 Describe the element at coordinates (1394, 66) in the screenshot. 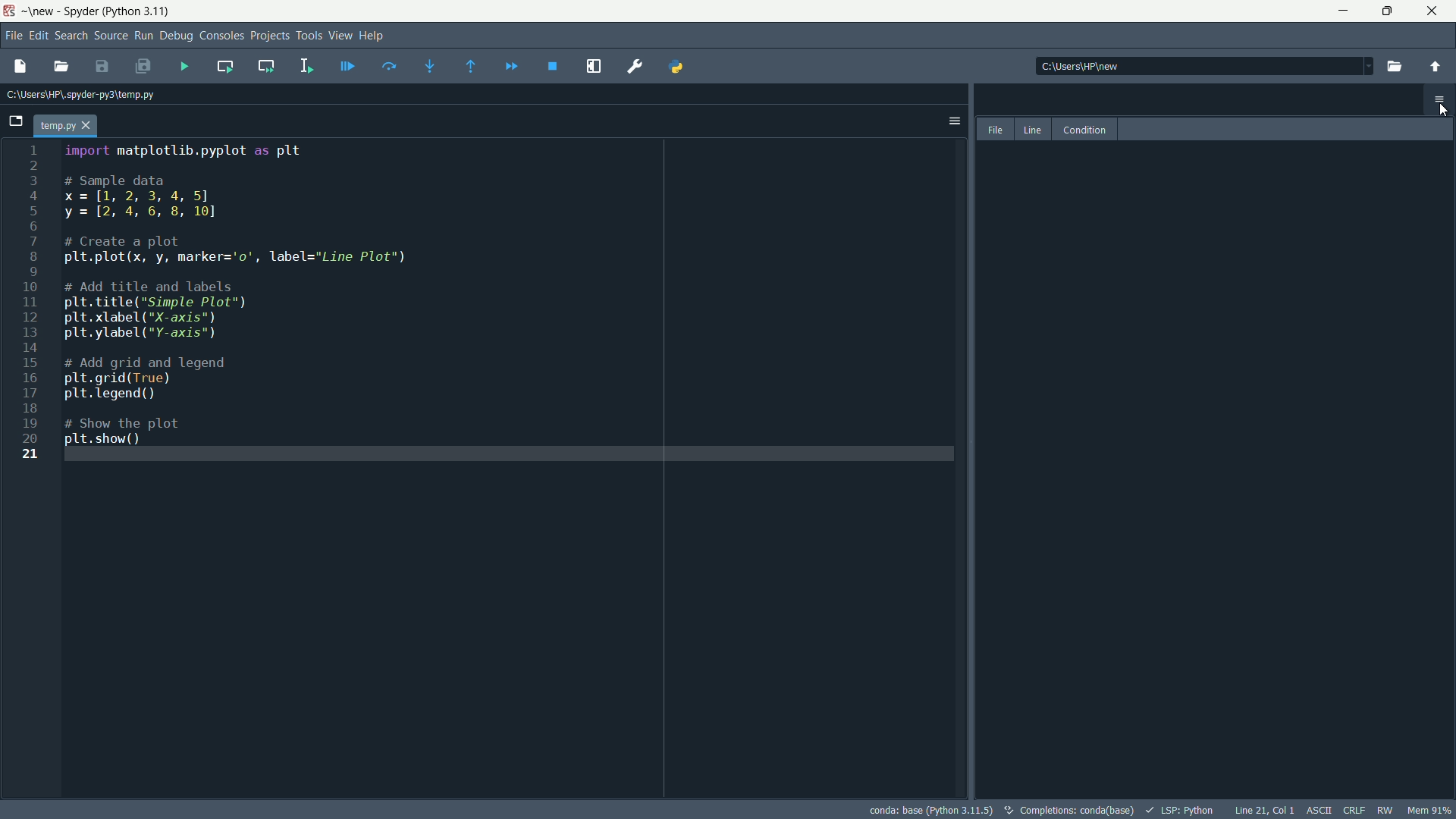

I see `browse directory` at that location.